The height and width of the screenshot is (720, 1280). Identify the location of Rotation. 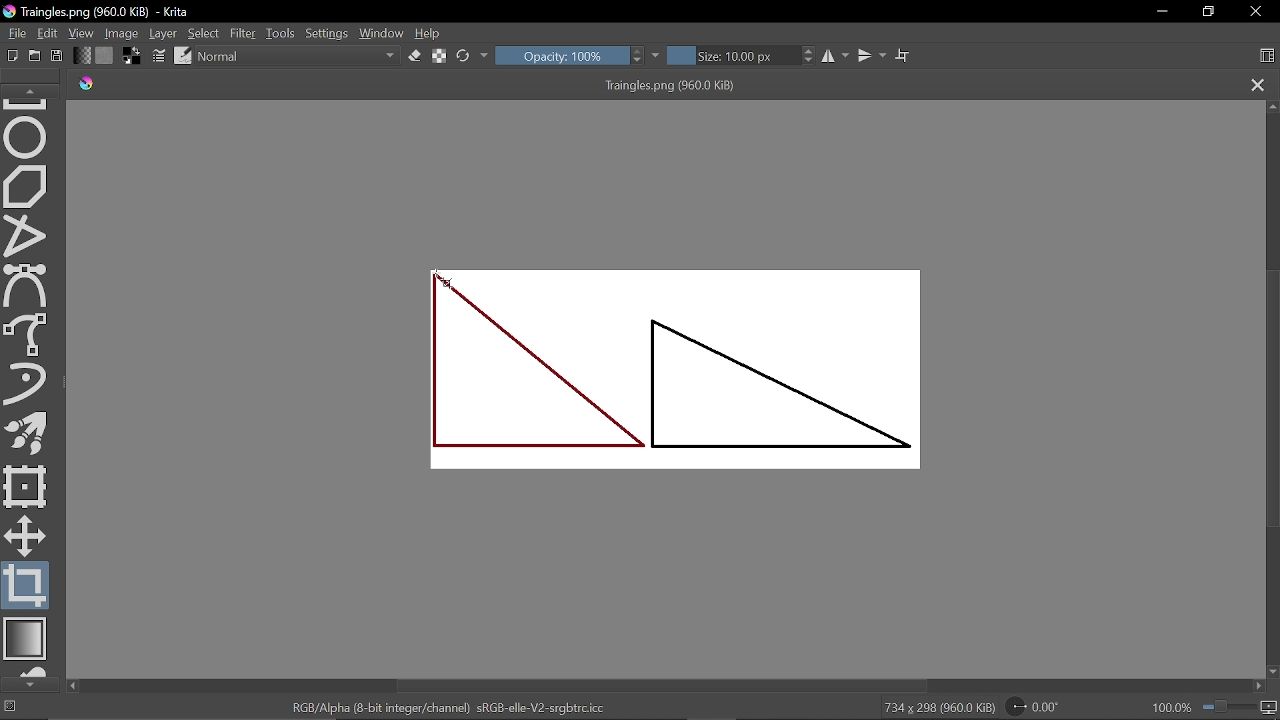
(1039, 707).